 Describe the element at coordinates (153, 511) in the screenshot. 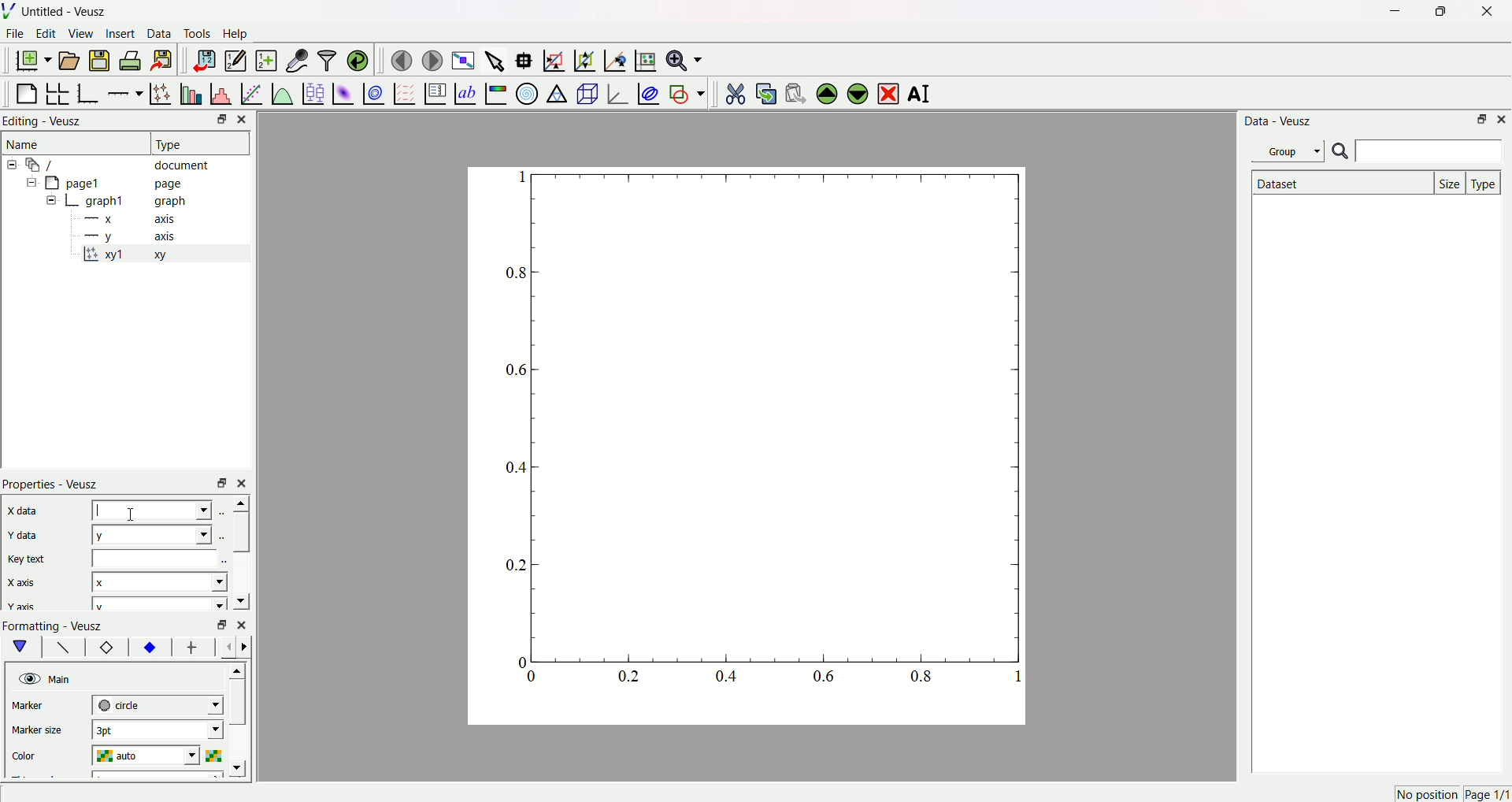

I see `x` at that location.